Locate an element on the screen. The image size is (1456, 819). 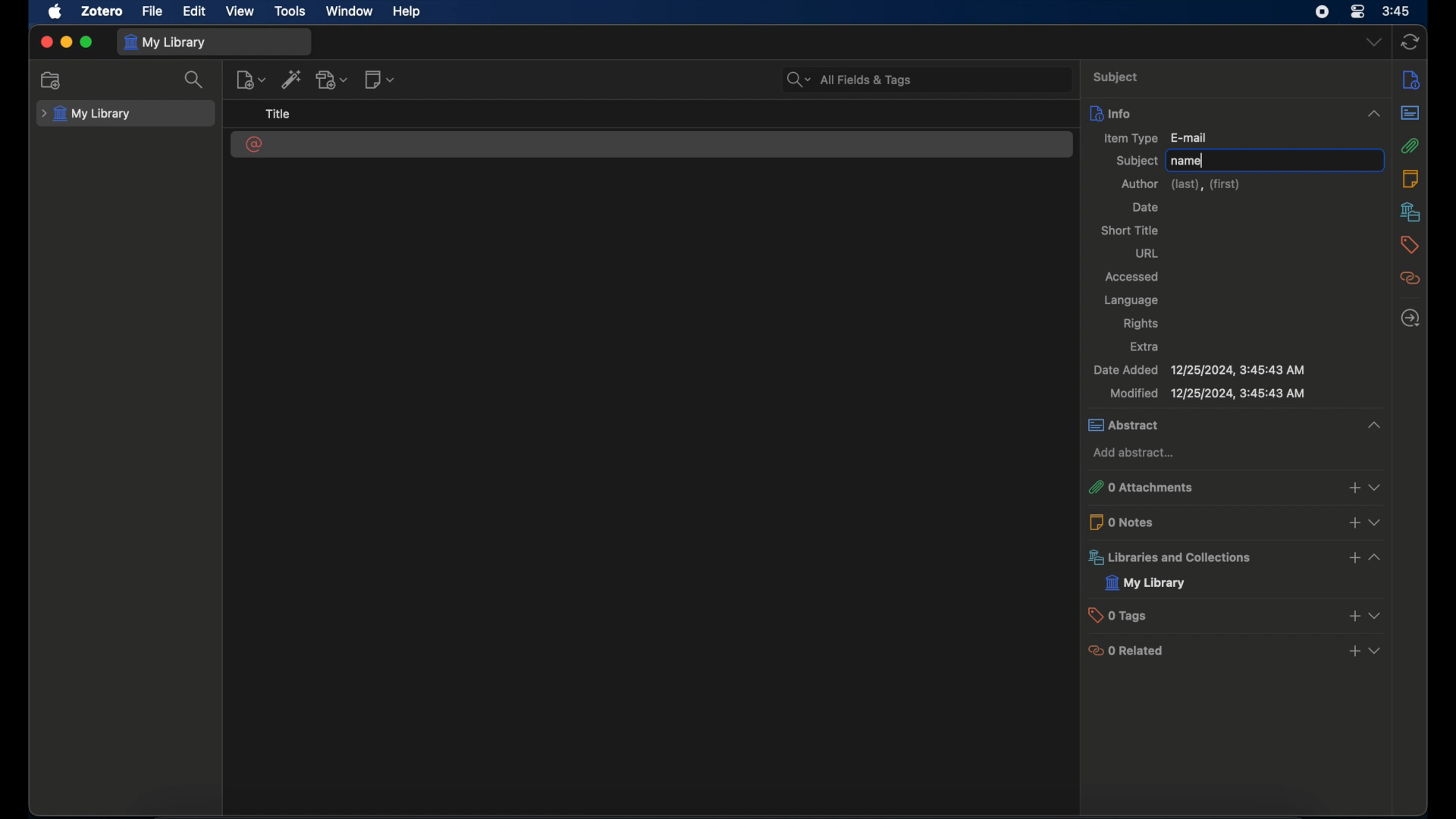
0 related is located at coordinates (1237, 650).